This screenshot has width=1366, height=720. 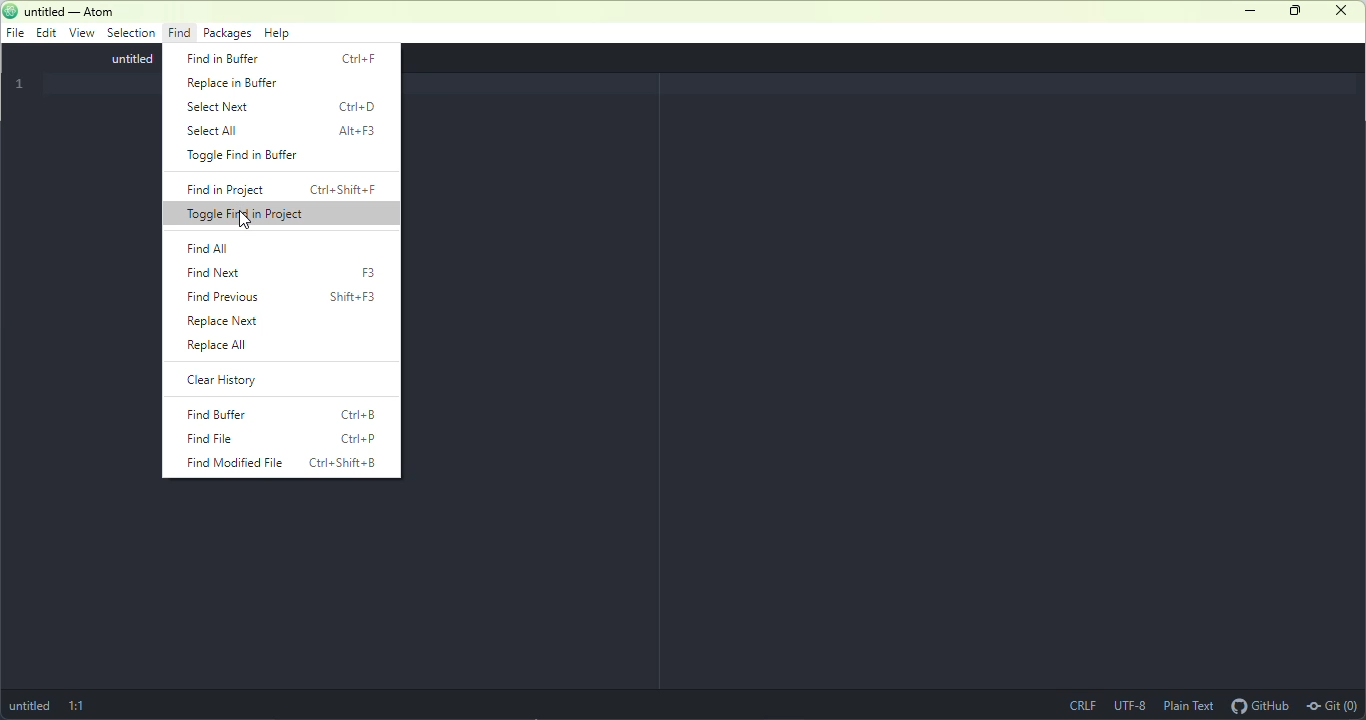 What do you see at coordinates (246, 221) in the screenshot?
I see `cursor` at bounding box center [246, 221].